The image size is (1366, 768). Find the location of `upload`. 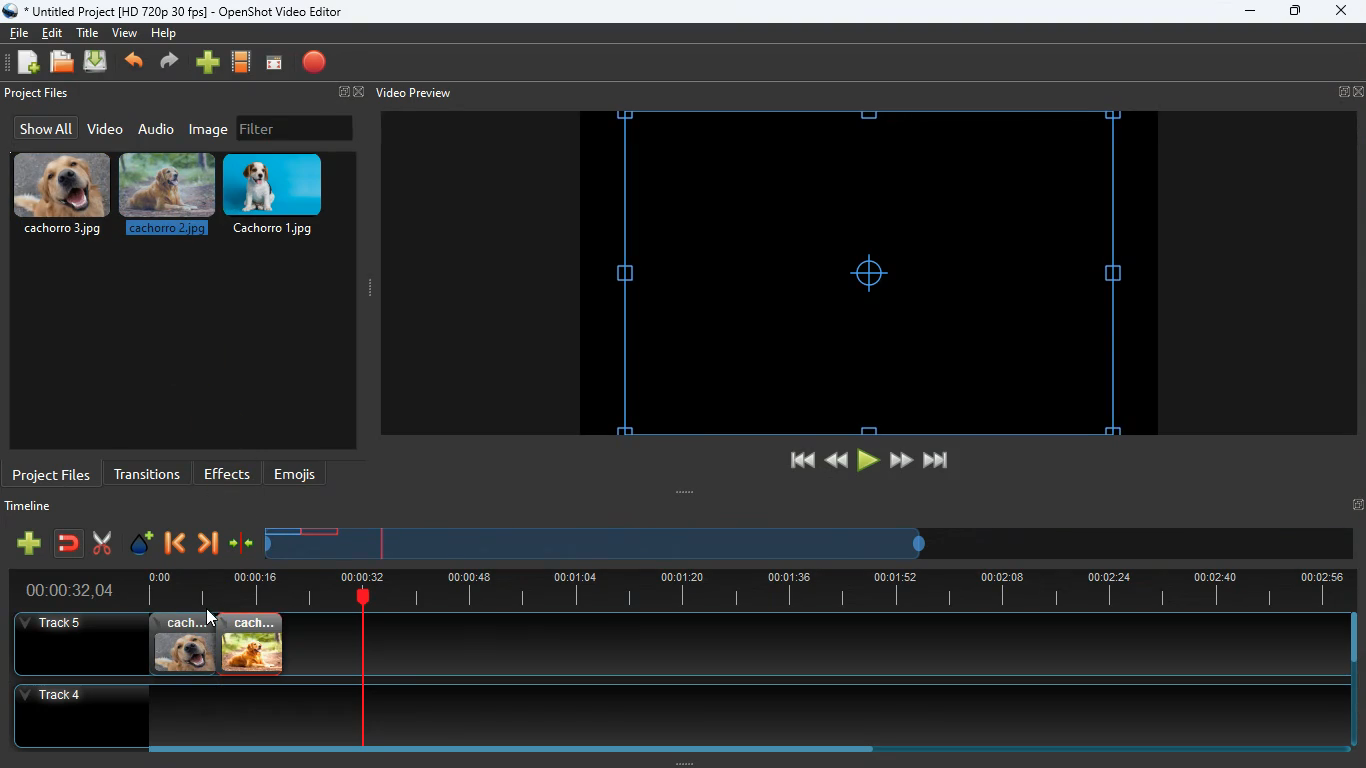

upload is located at coordinates (98, 63).